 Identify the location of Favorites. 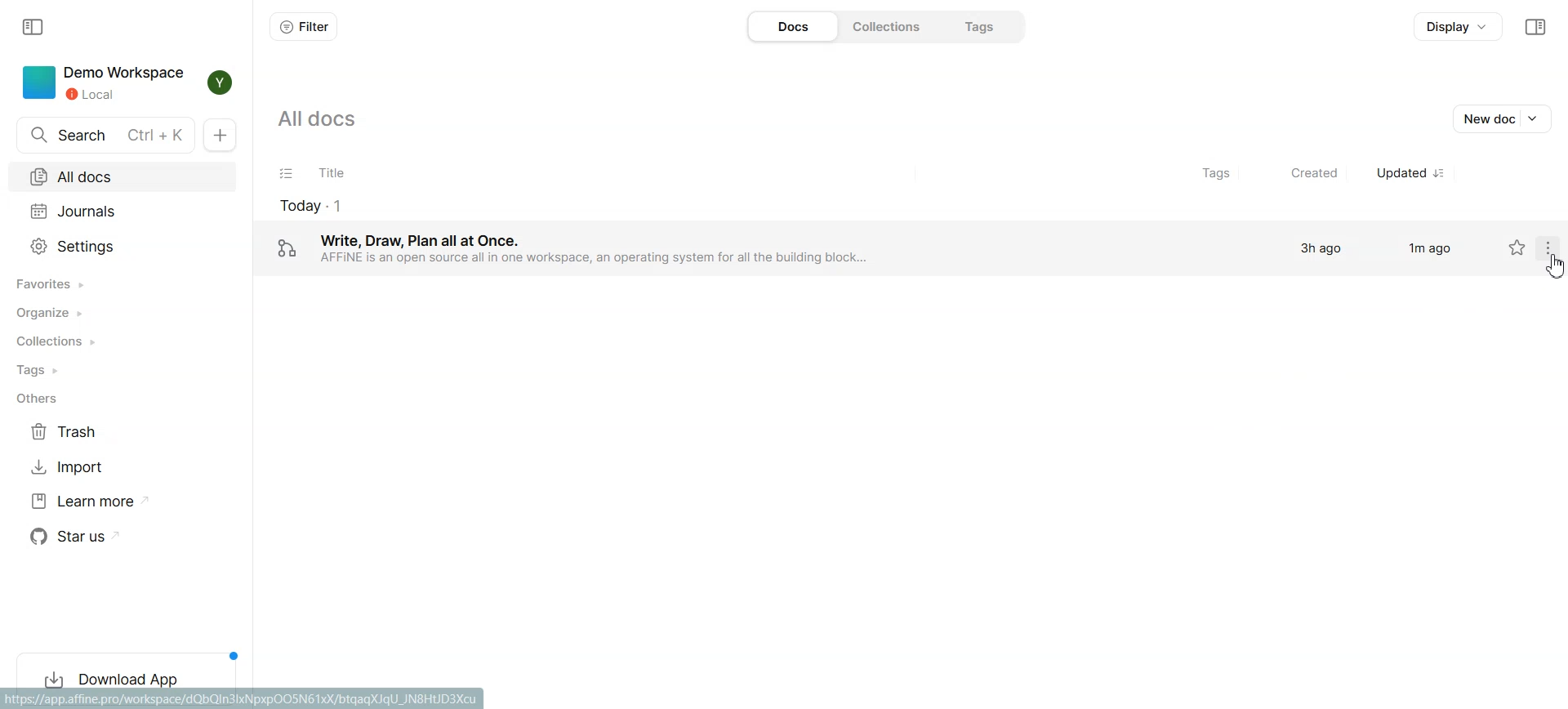
(122, 283).